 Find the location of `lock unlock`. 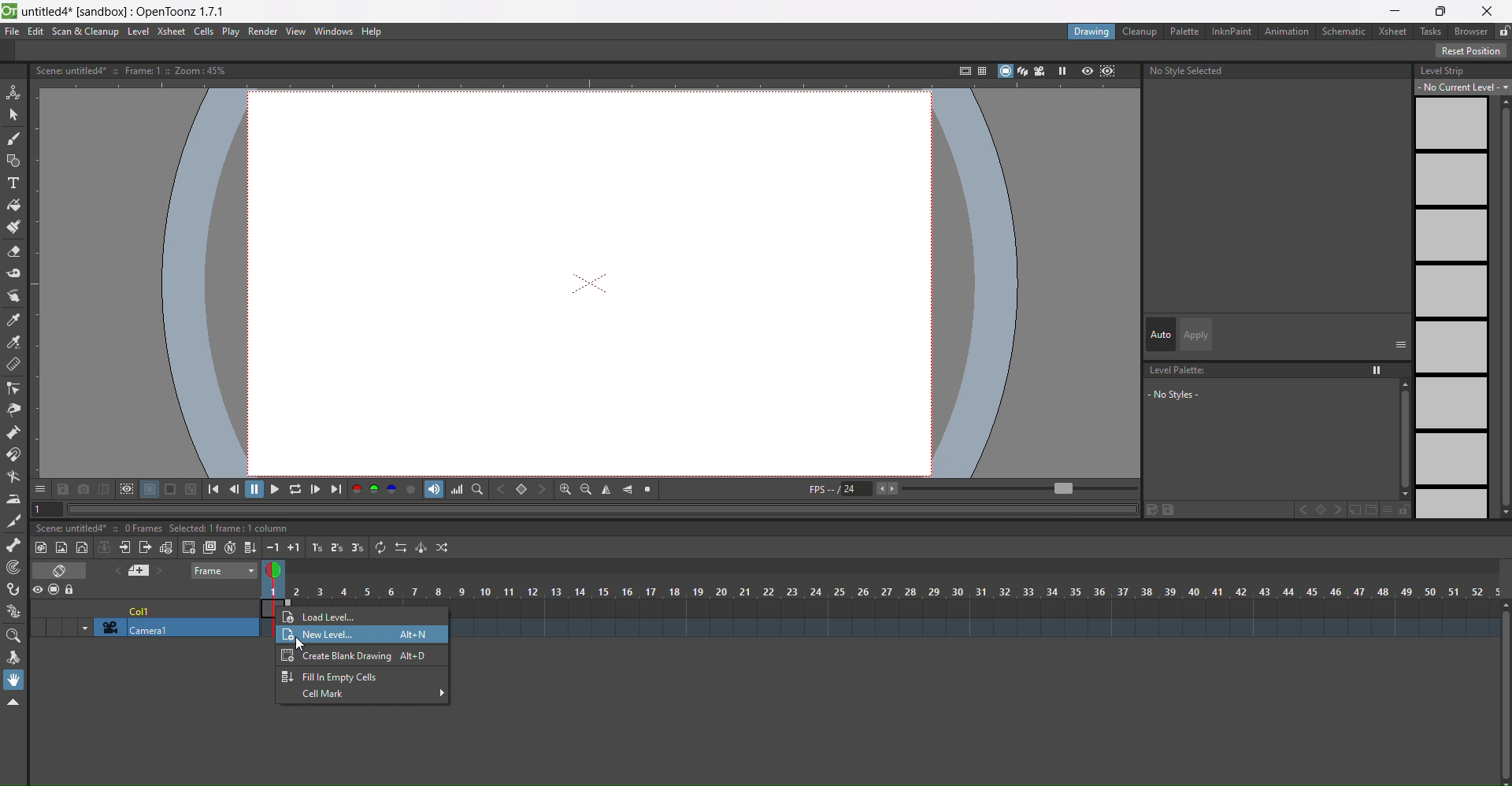

lock unlock is located at coordinates (1503, 32).